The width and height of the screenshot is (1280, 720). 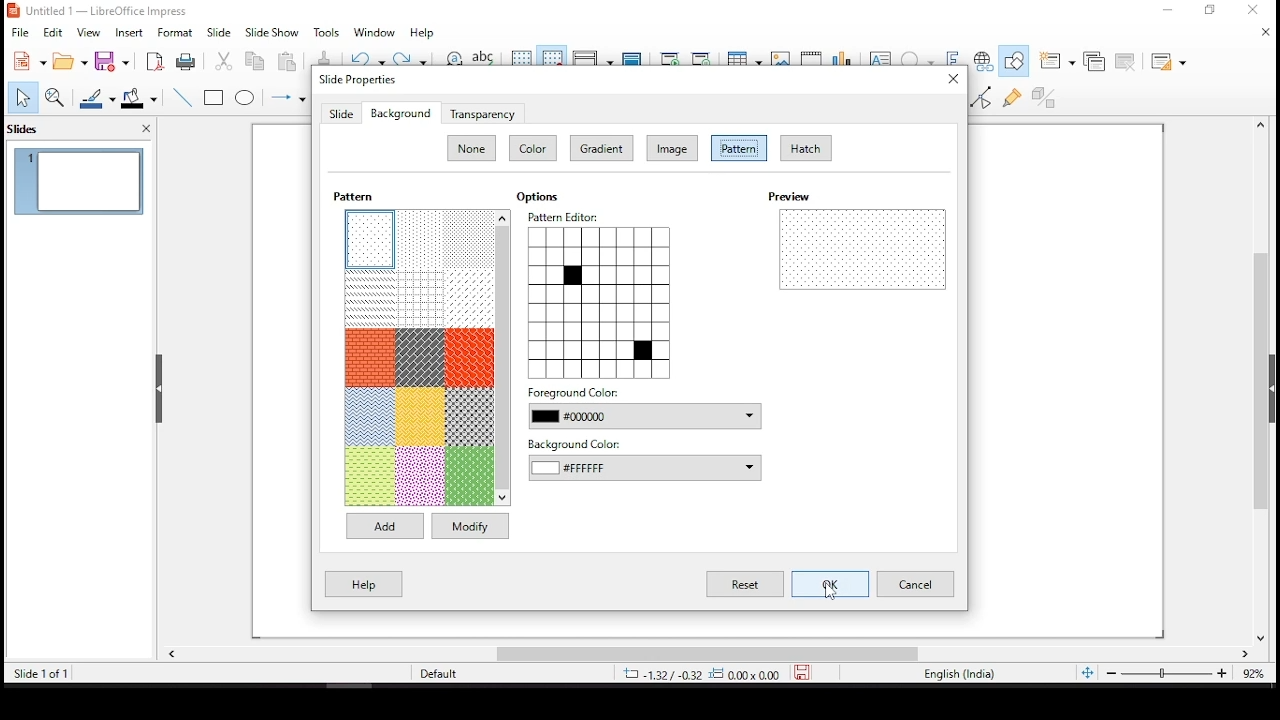 I want to click on slide layout, so click(x=1167, y=59).